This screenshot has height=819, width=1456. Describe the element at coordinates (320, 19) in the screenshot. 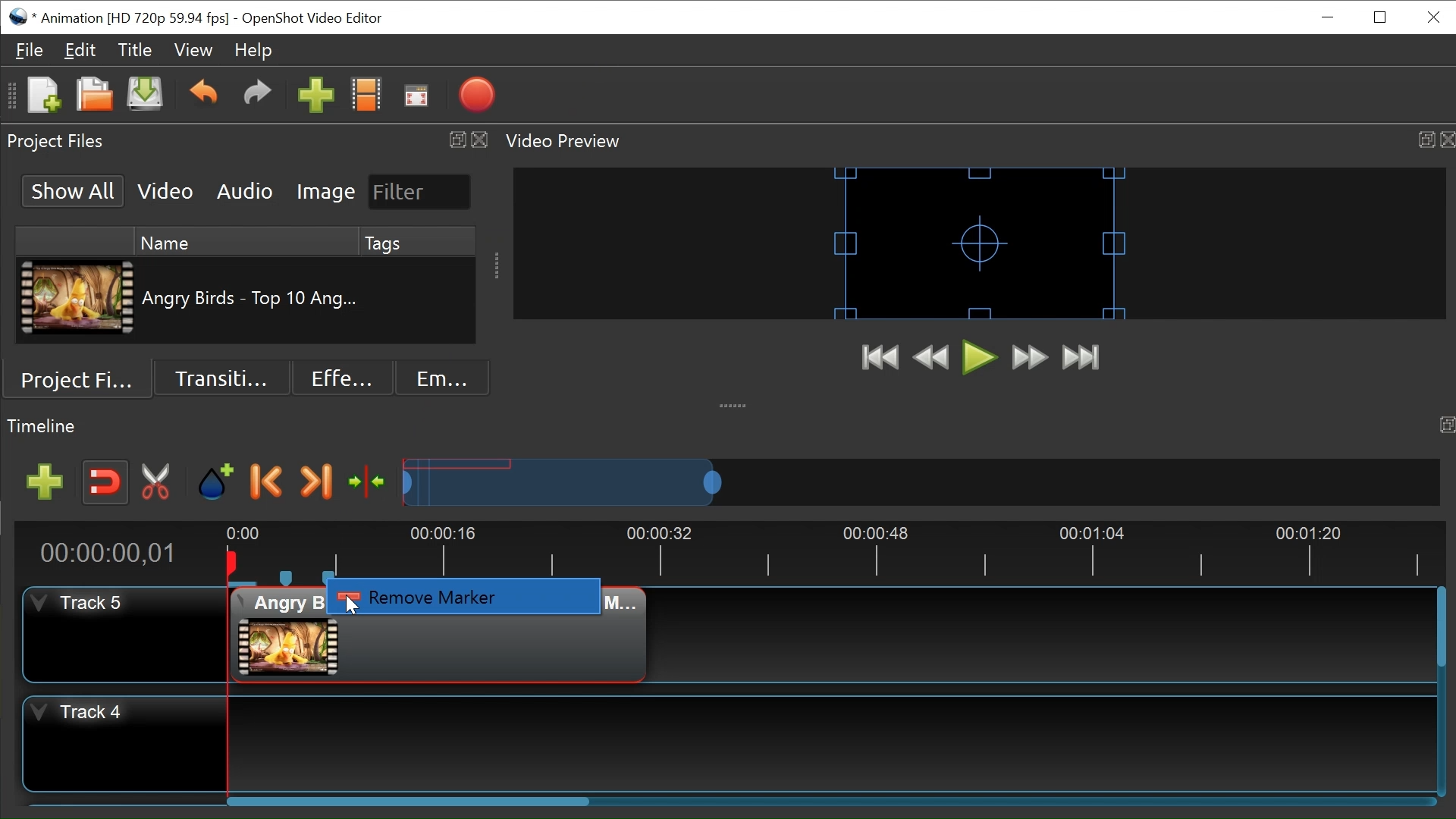

I see `OpenShot Video Editor` at that location.